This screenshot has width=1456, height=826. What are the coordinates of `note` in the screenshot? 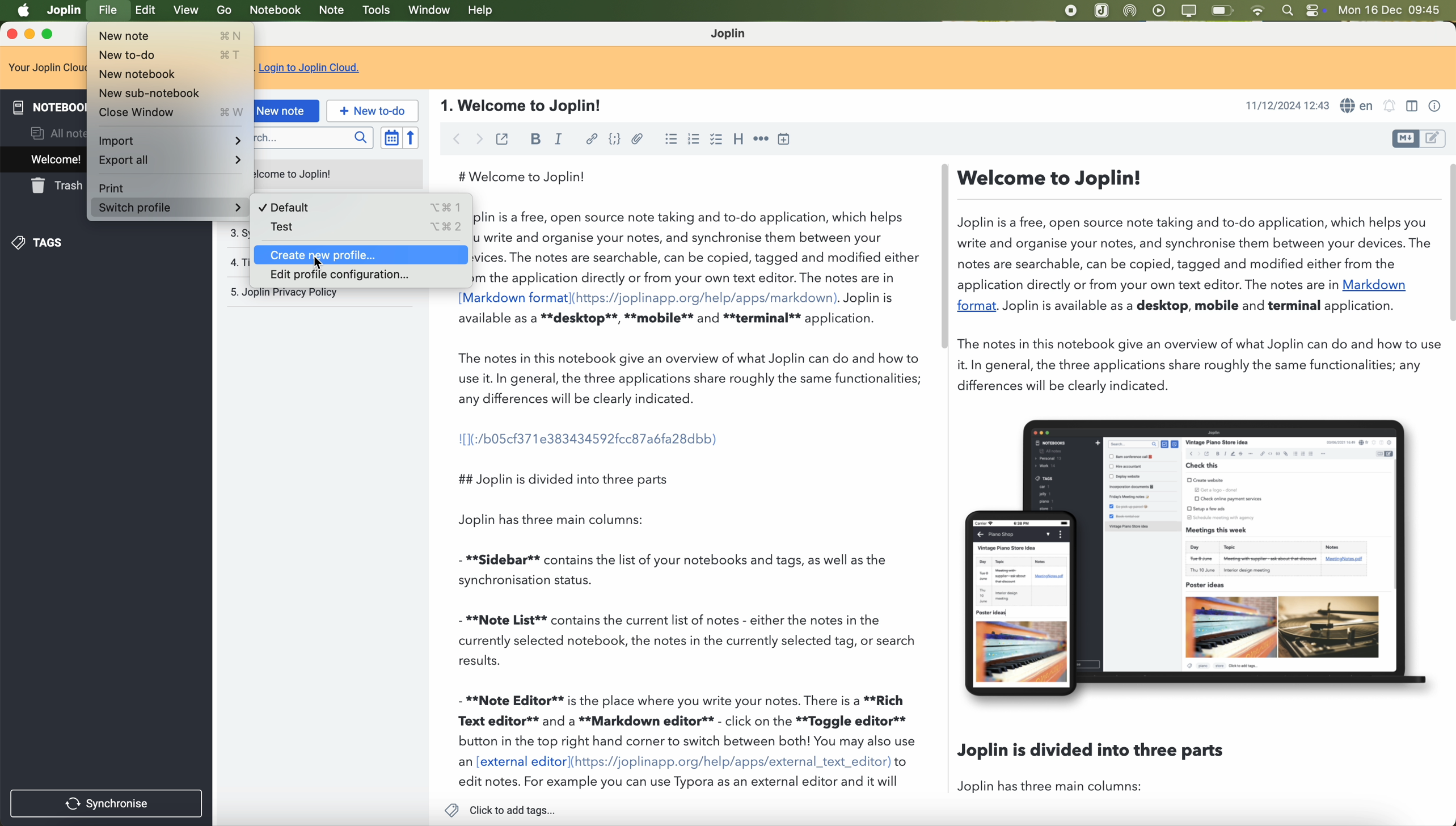 It's located at (333, 11).